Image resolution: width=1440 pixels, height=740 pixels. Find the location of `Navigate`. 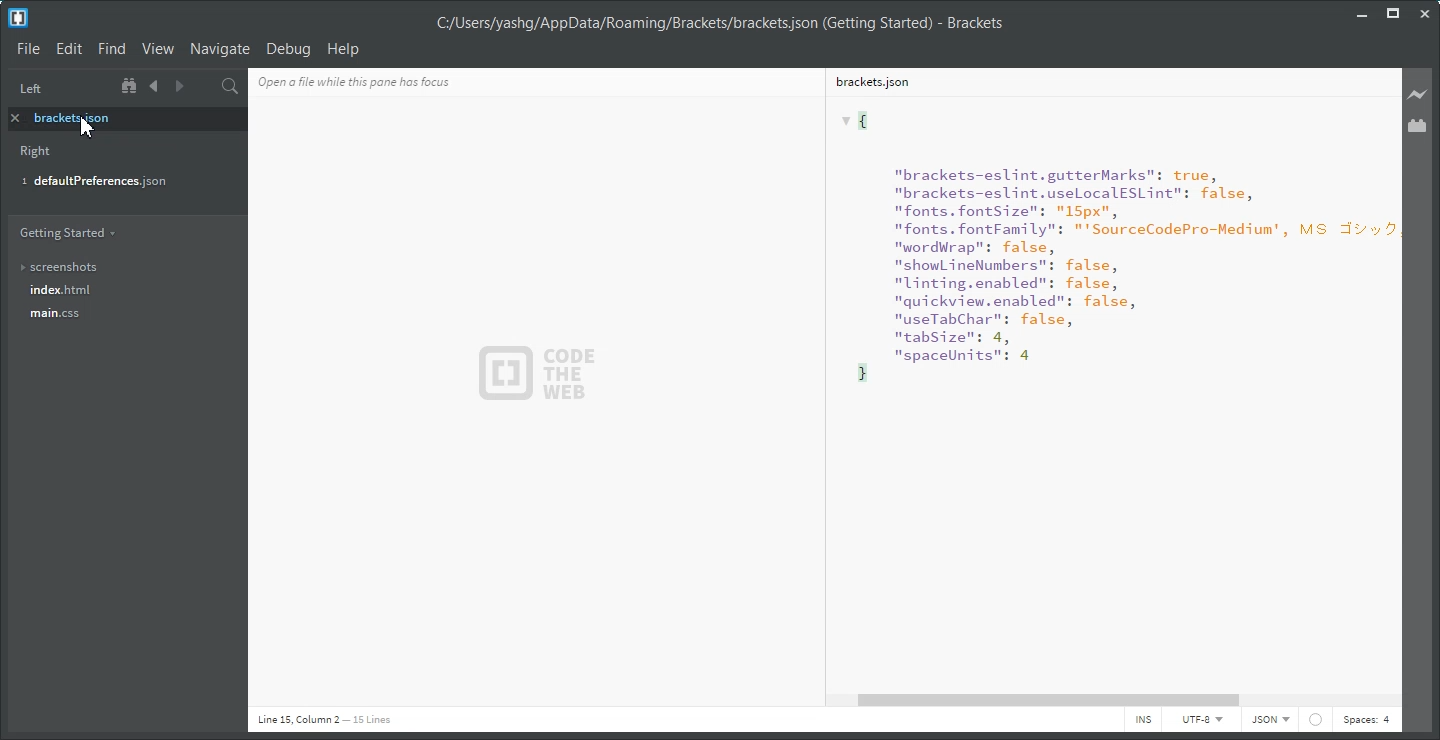

Navigate is located at coordinates (220, 48).